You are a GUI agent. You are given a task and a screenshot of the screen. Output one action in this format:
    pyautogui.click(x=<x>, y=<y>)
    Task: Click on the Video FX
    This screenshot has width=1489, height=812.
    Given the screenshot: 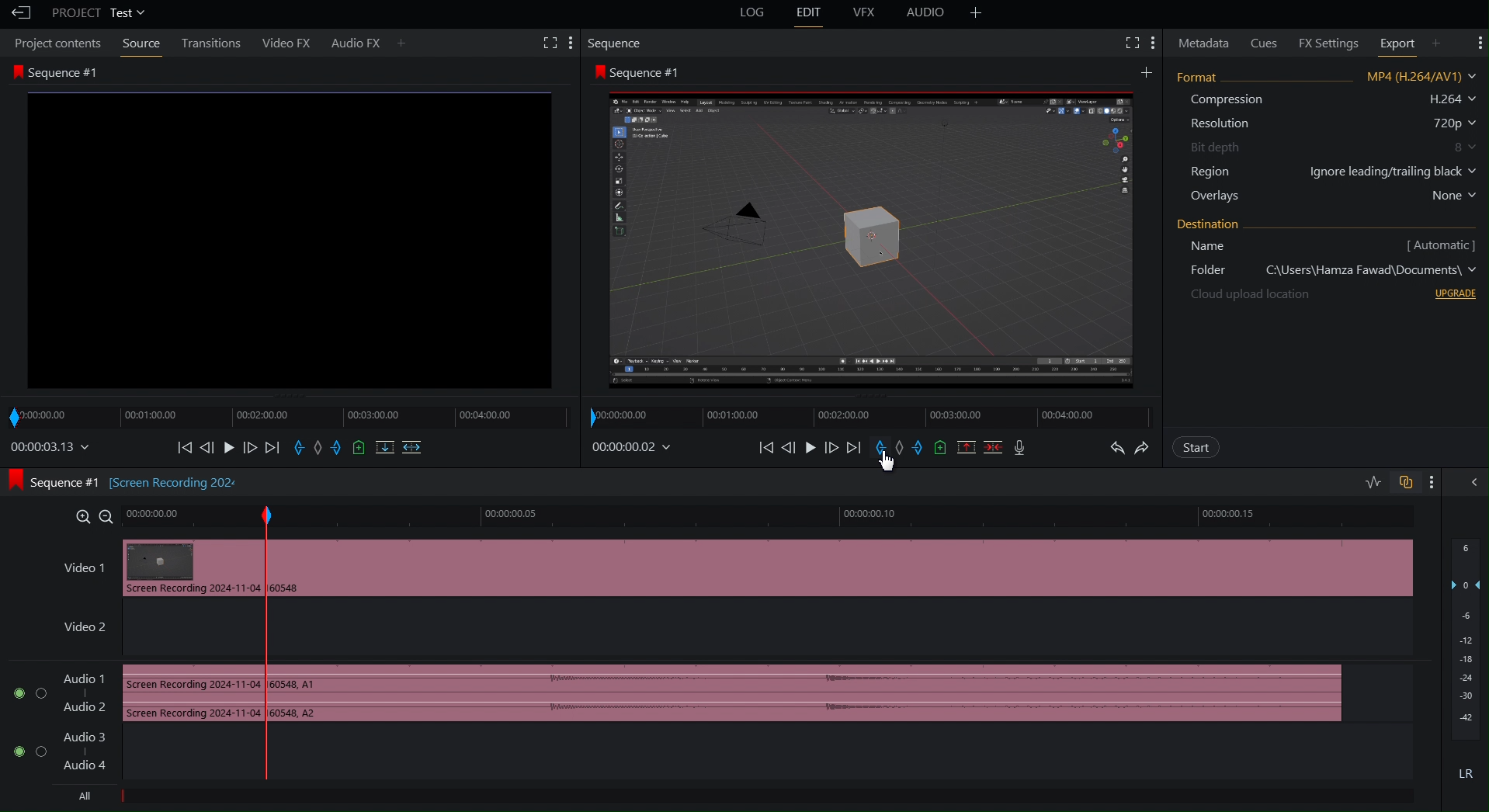 What is the action you would take?
    pyautogui.click(x=286, y=43)
    